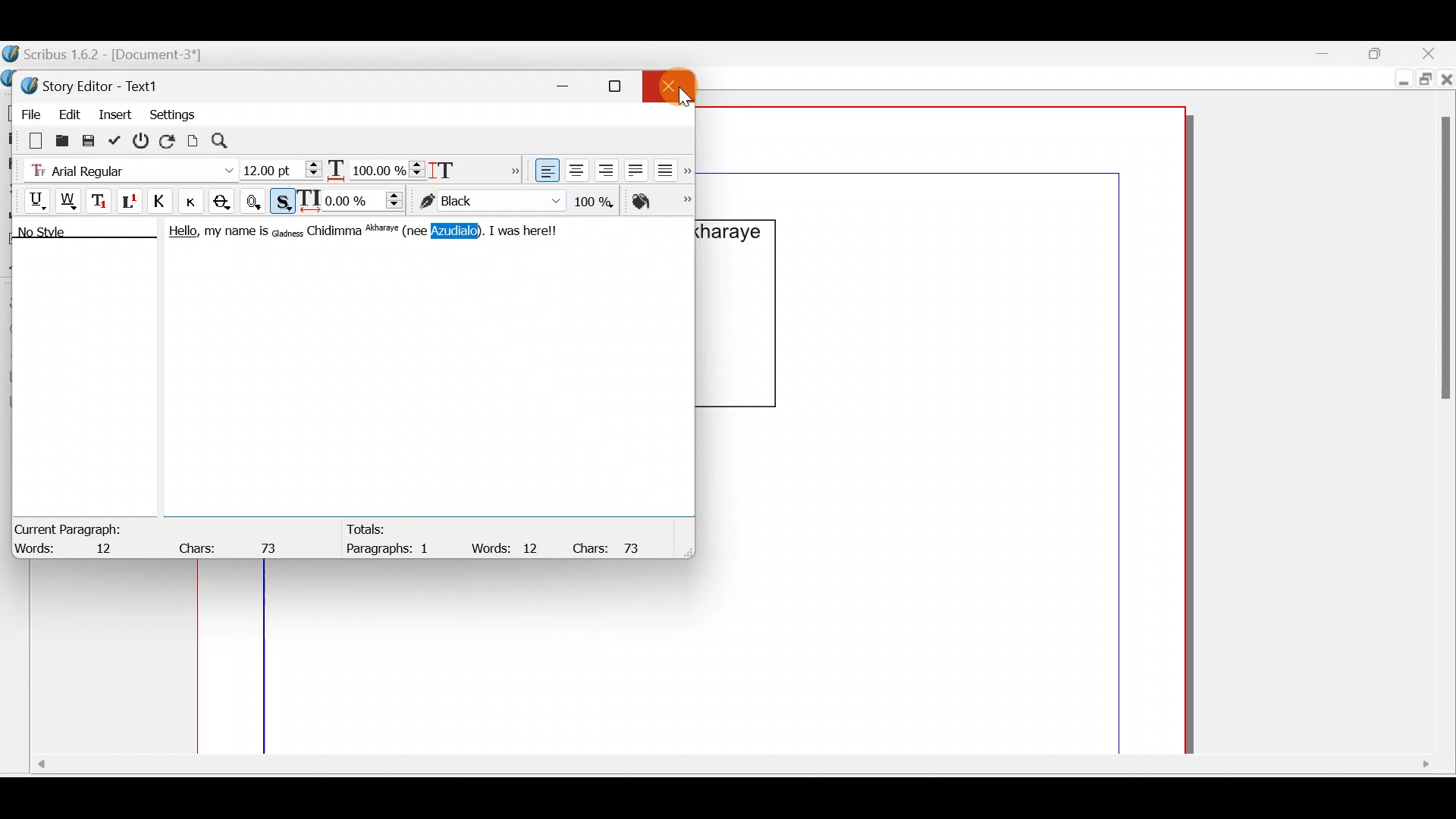  I want to click on Search/replace, so click(228, 141).